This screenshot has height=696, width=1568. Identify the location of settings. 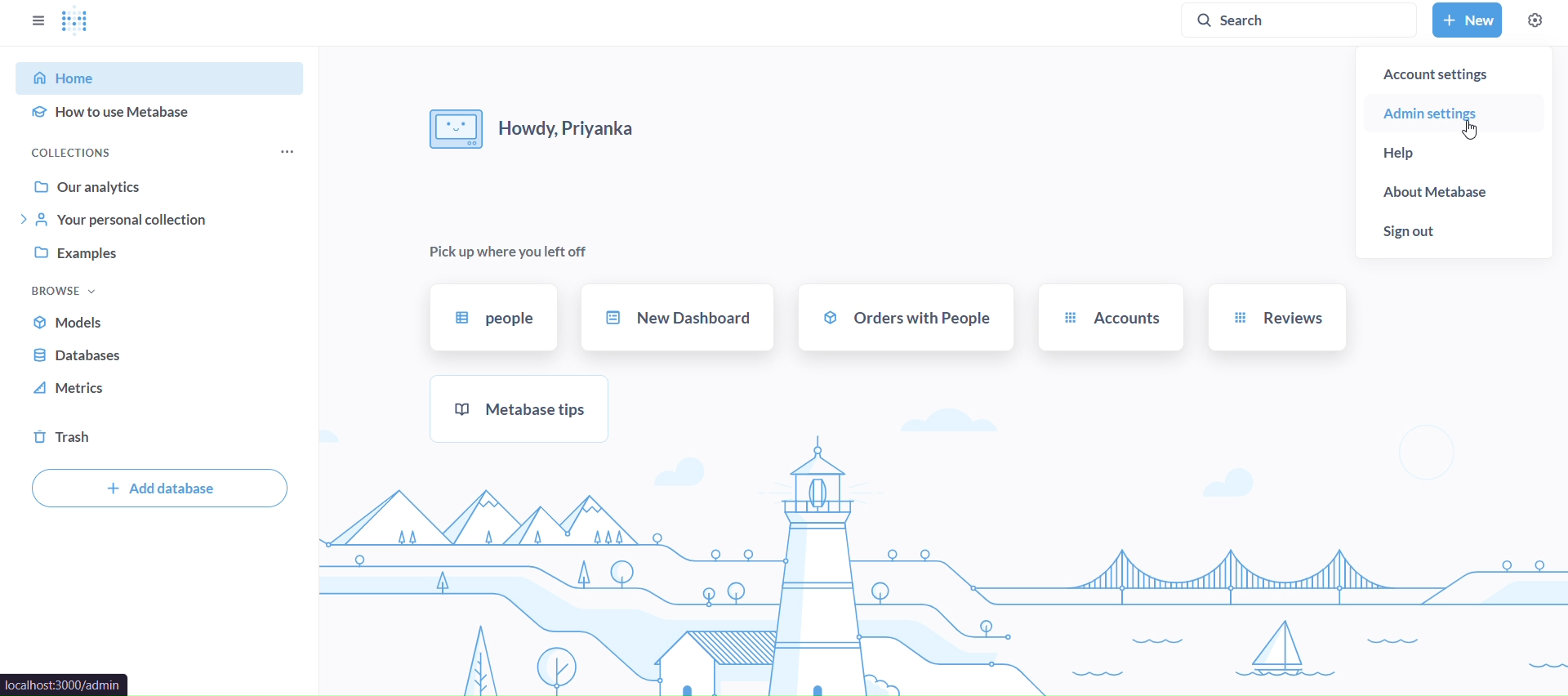
(1535, 19).